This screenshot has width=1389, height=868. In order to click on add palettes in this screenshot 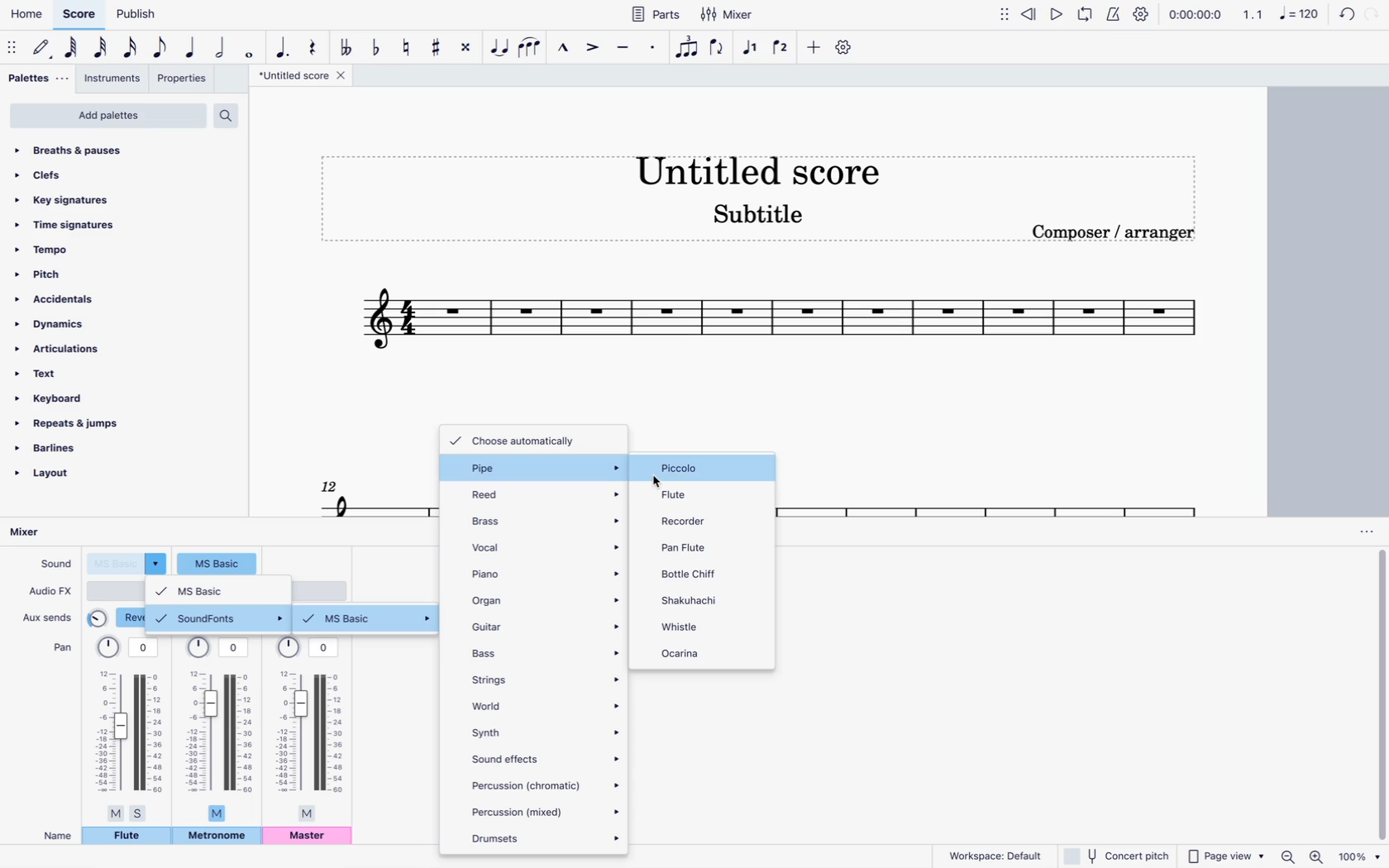, I will do `click(107, 117)`.